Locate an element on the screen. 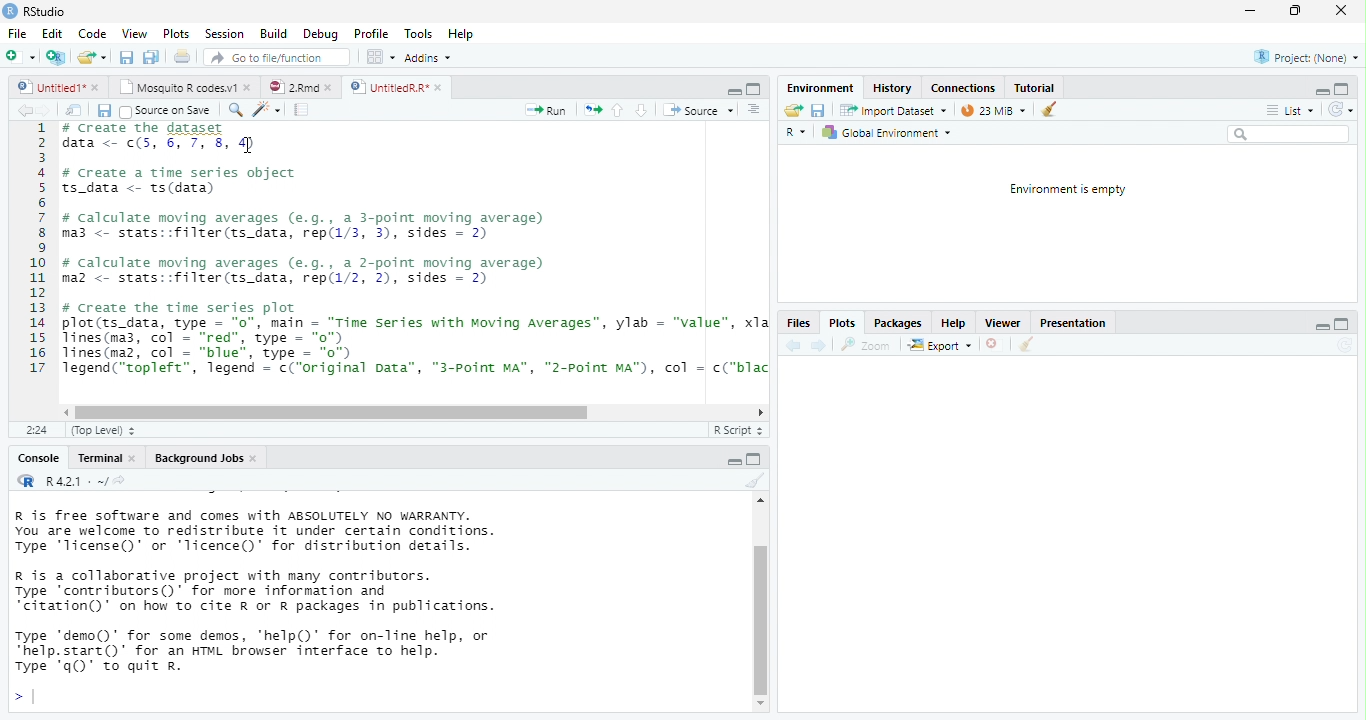  save is located at coordinates (103, 111).